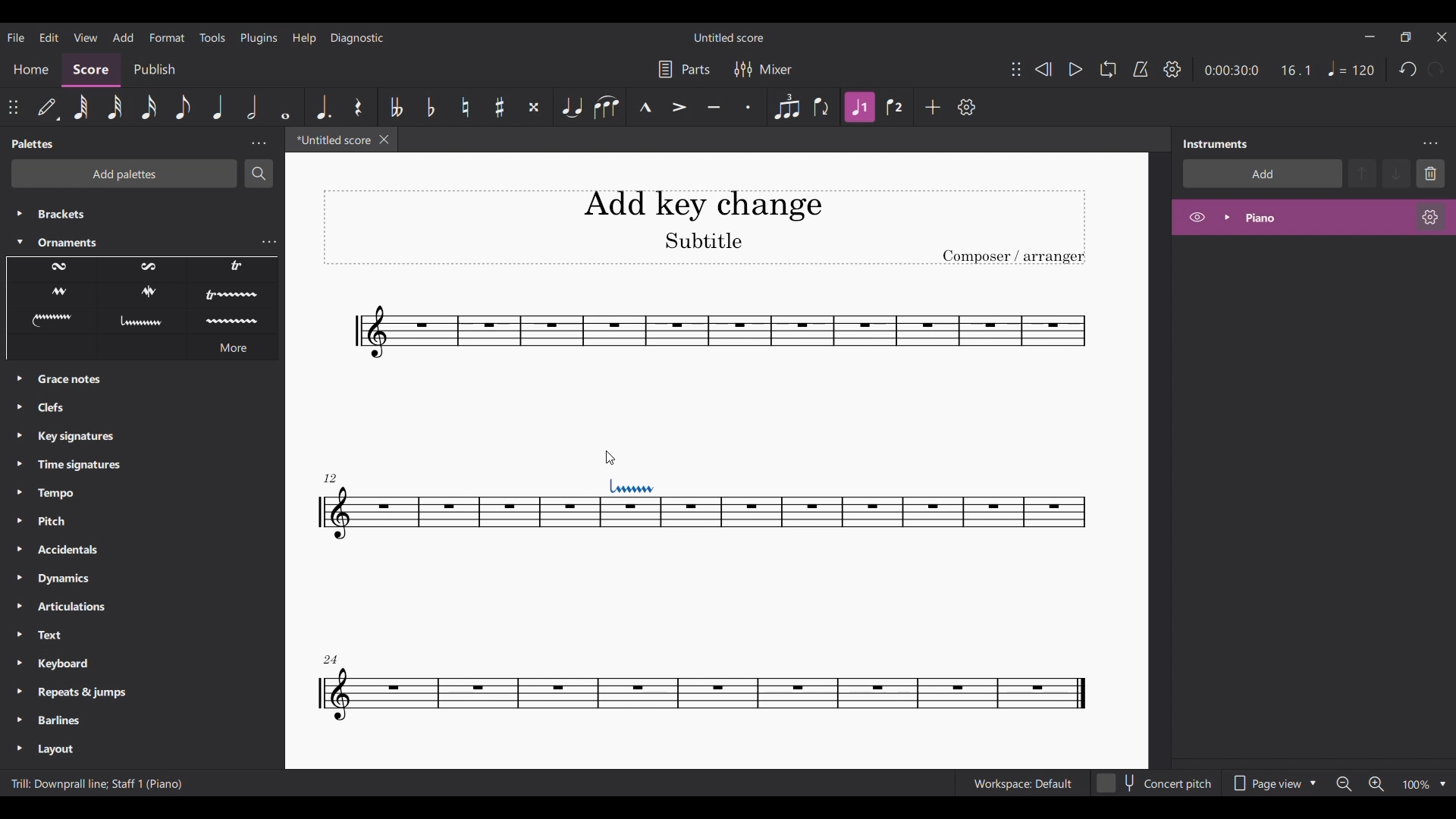 The image size is (1456, 819). I want to click on Move up, so click(1362, 174).